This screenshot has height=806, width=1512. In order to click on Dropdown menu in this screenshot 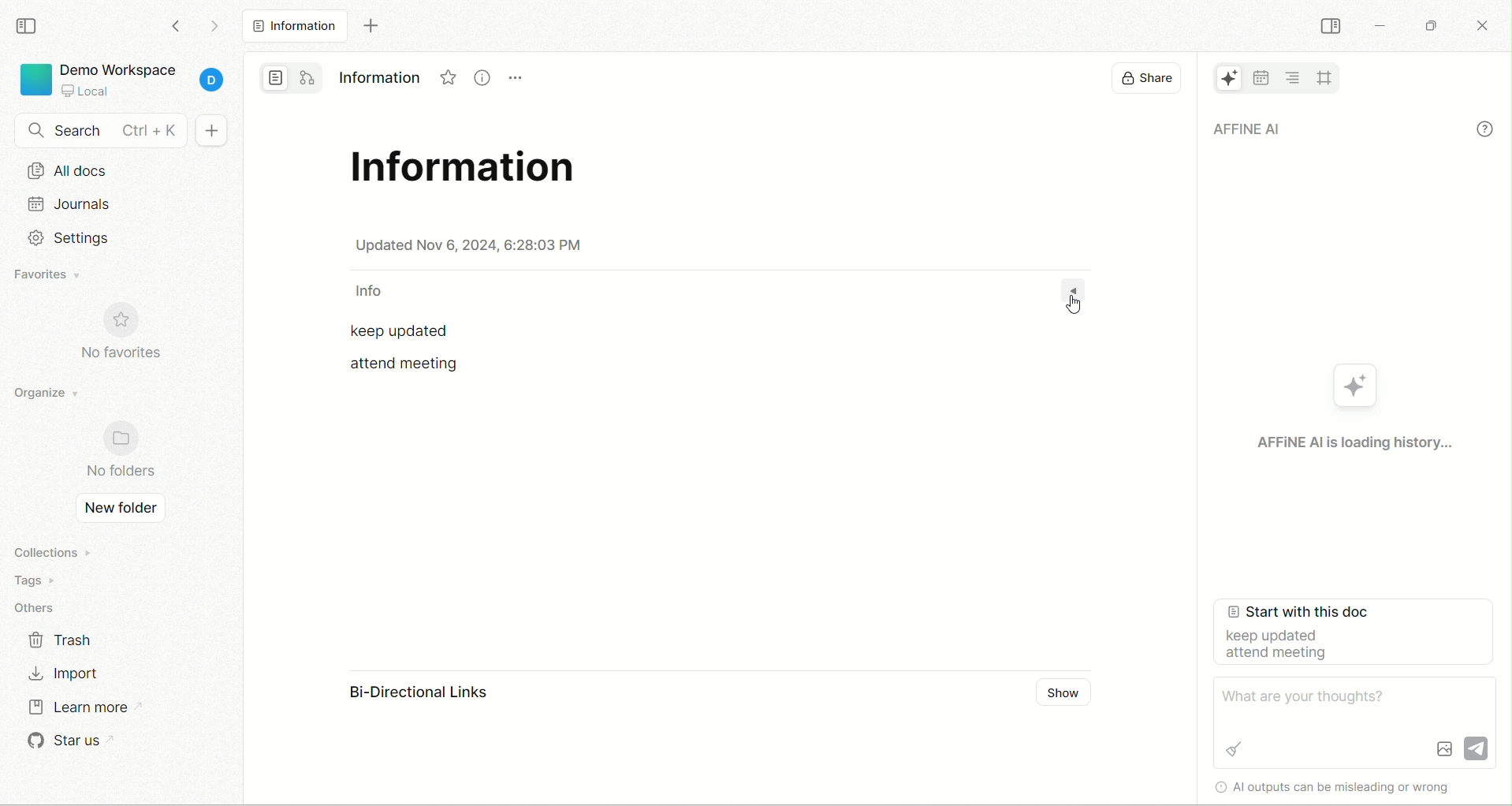, I will do `click(1076, 288)`.